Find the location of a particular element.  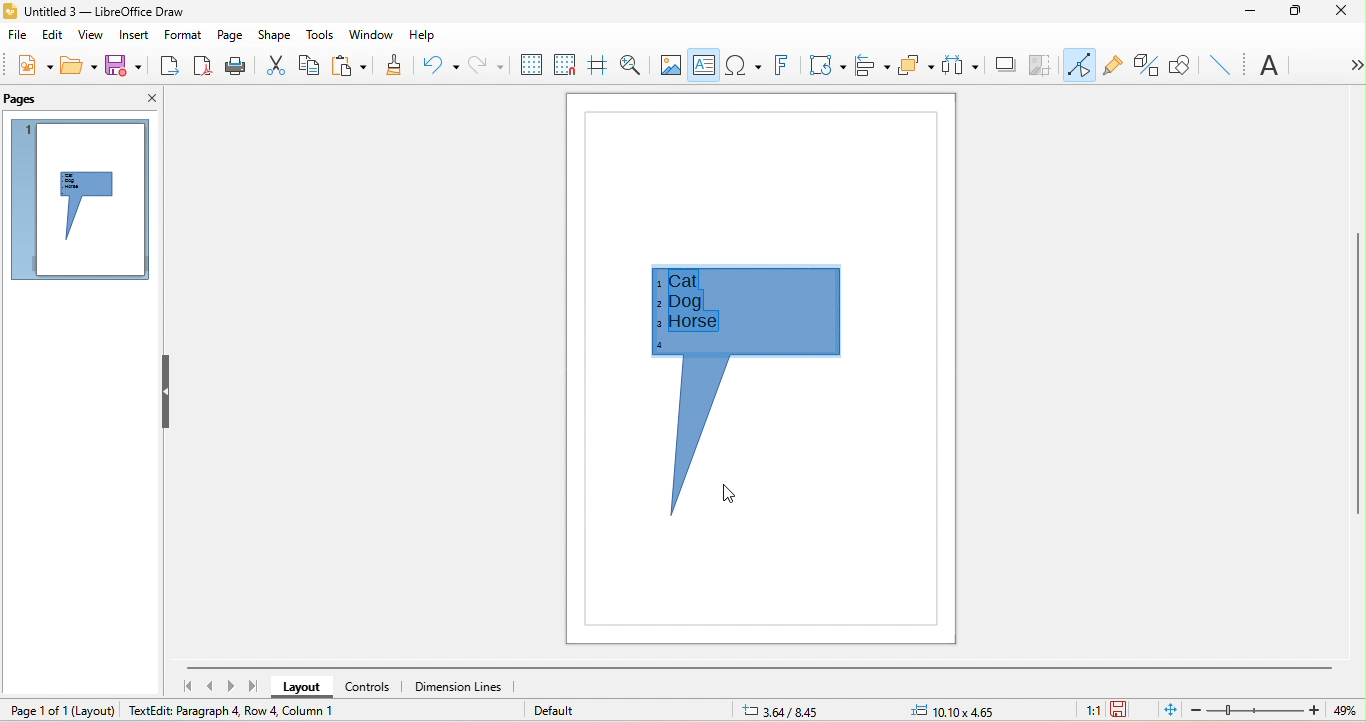

helpline while moving is located at coordinates (598, 67).